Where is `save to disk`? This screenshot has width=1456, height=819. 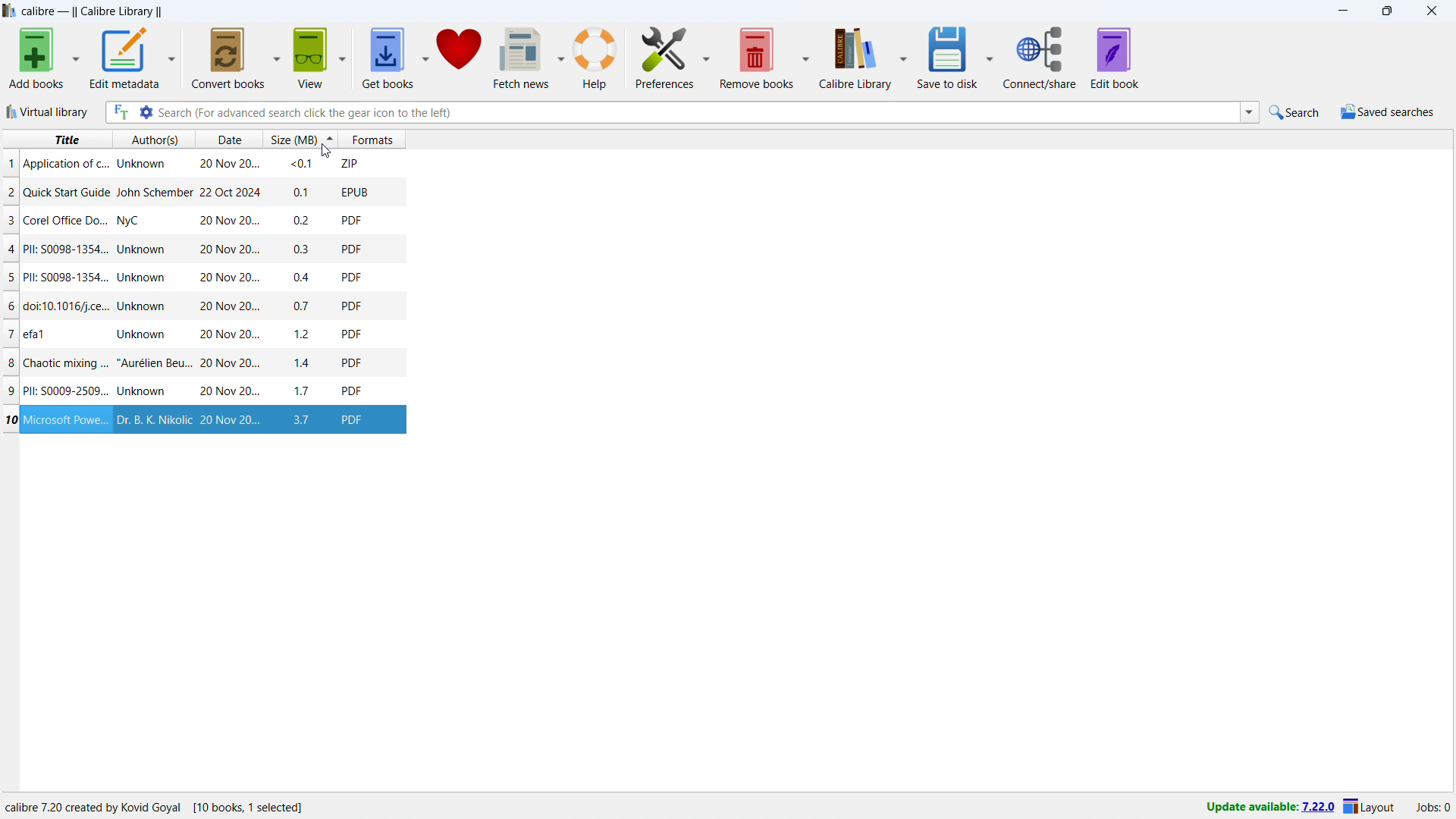 save to disk is located at coordinates (758, 58).